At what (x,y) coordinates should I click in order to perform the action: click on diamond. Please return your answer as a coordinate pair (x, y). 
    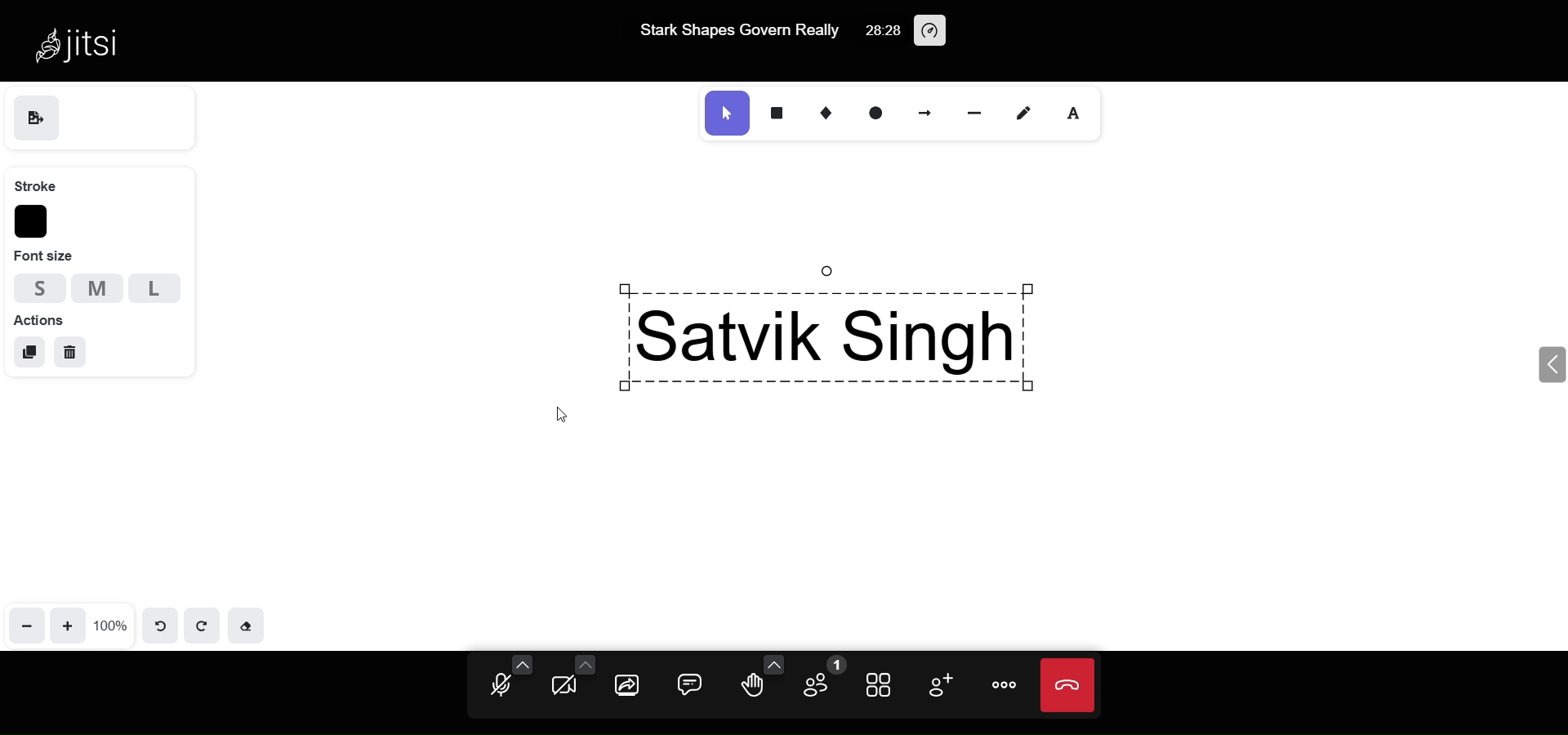
    Looking at the image, I should click on (817, 110).